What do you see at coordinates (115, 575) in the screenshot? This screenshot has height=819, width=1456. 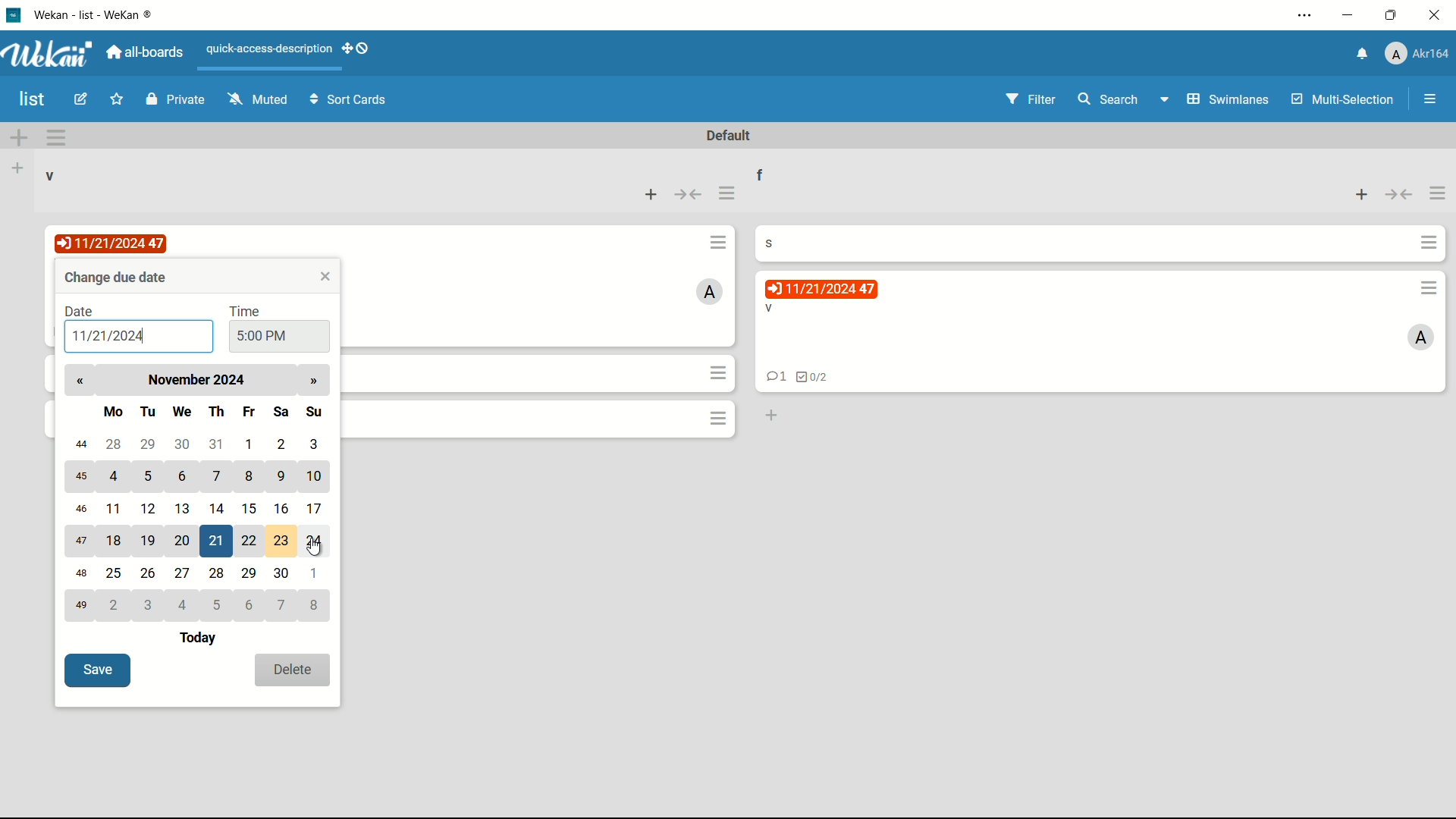 I see `25` at bounding box center [115, 575].